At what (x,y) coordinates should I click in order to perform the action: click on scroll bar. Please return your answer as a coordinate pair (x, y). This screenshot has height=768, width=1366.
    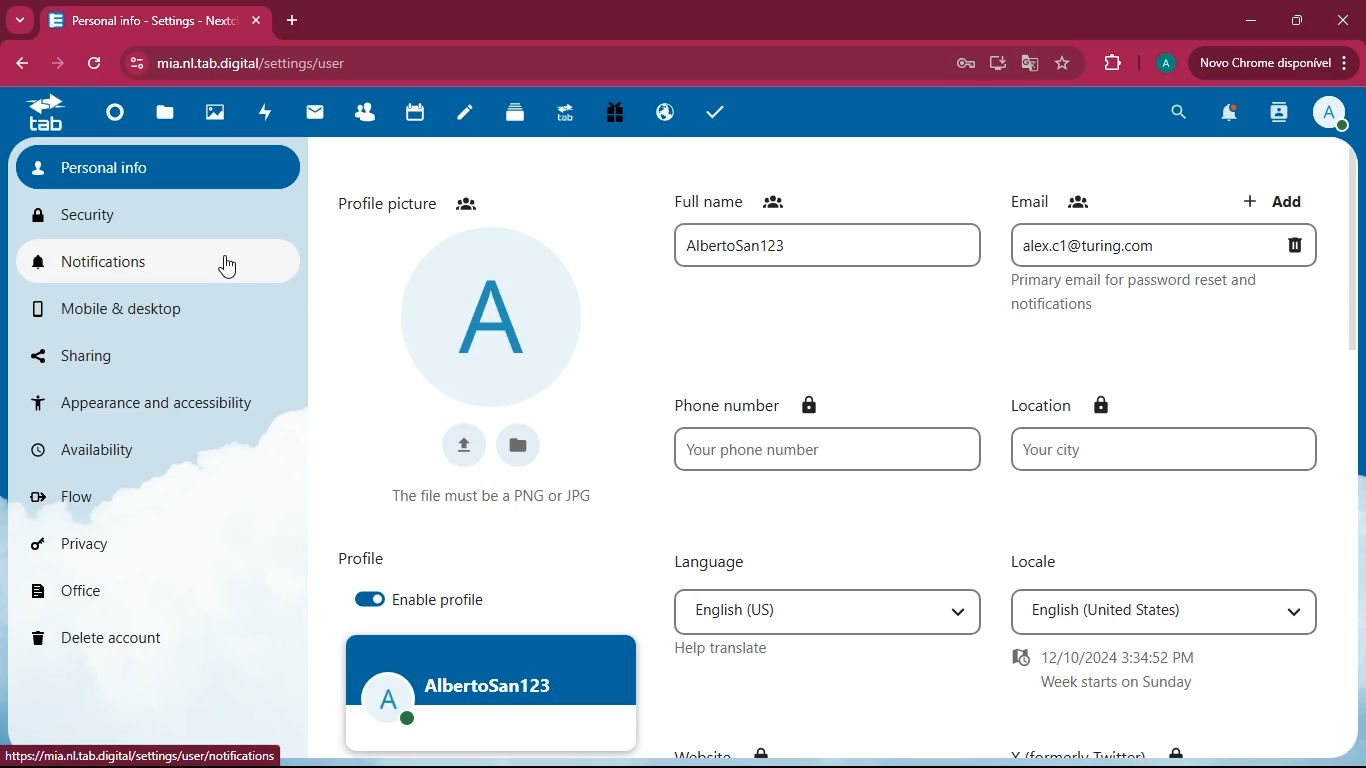
    Looking at the image, I should click on (1351, 252).